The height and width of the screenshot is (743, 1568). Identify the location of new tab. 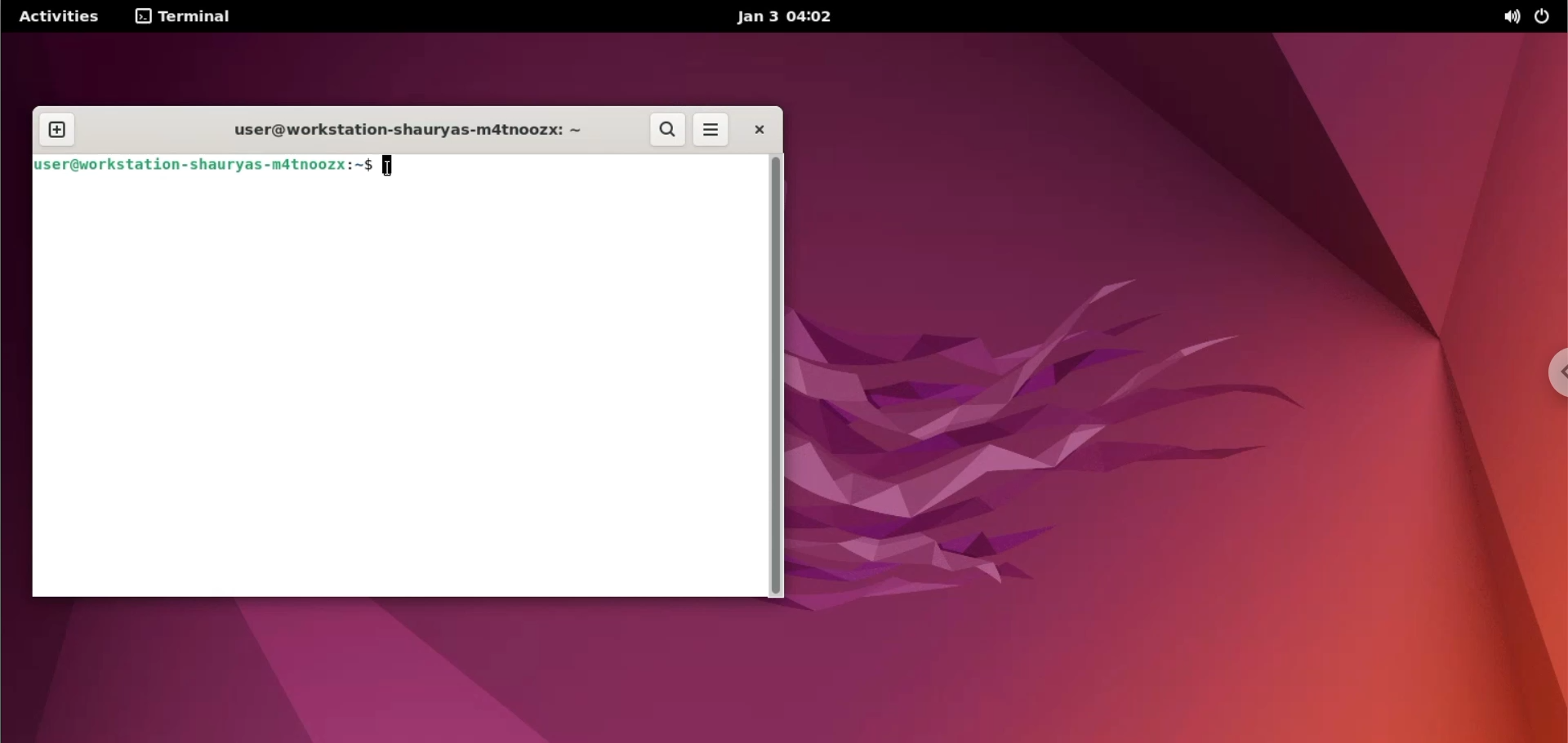
(57, 131).